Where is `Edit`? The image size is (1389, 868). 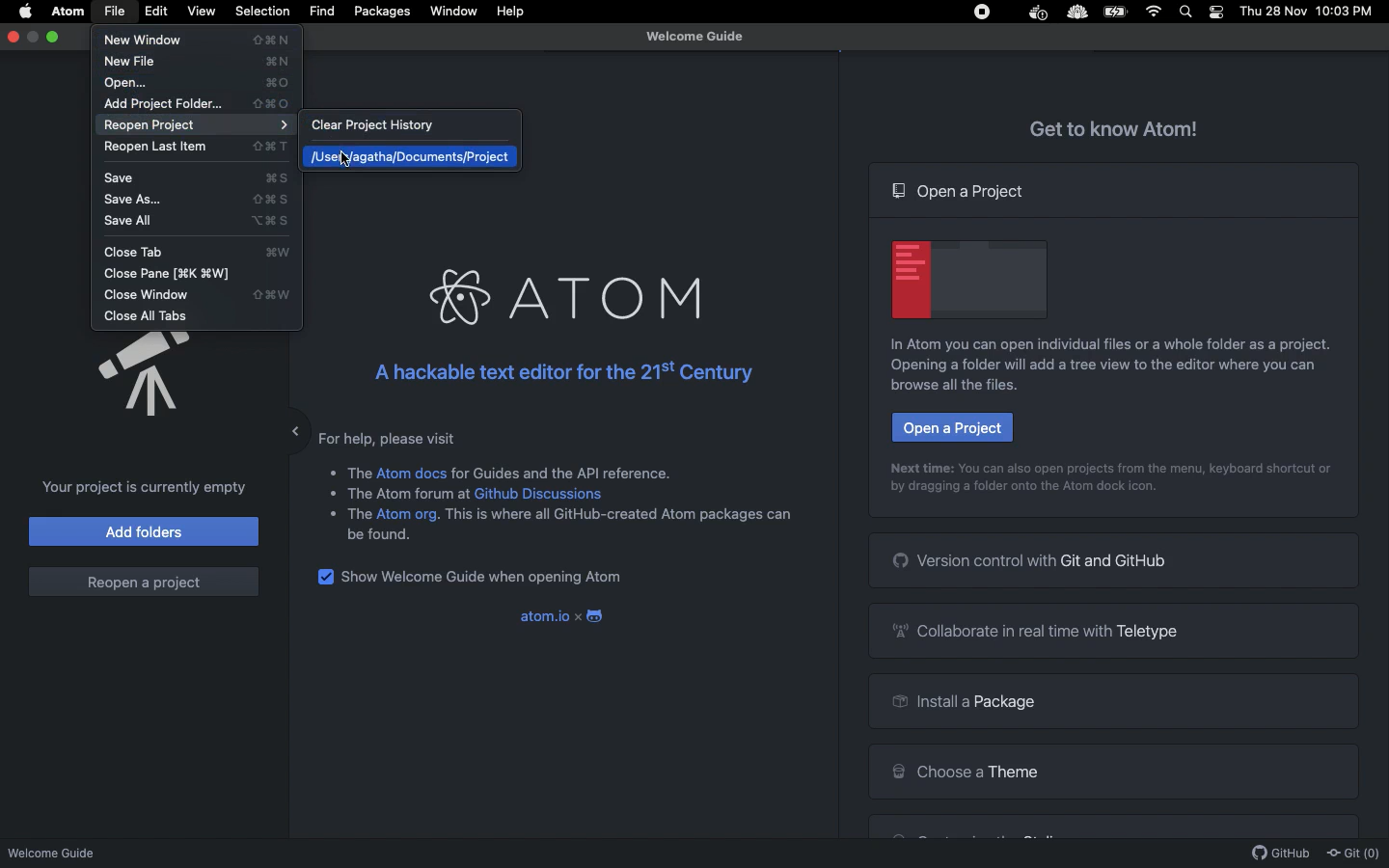 Edit is located at coordinates (157, 12).